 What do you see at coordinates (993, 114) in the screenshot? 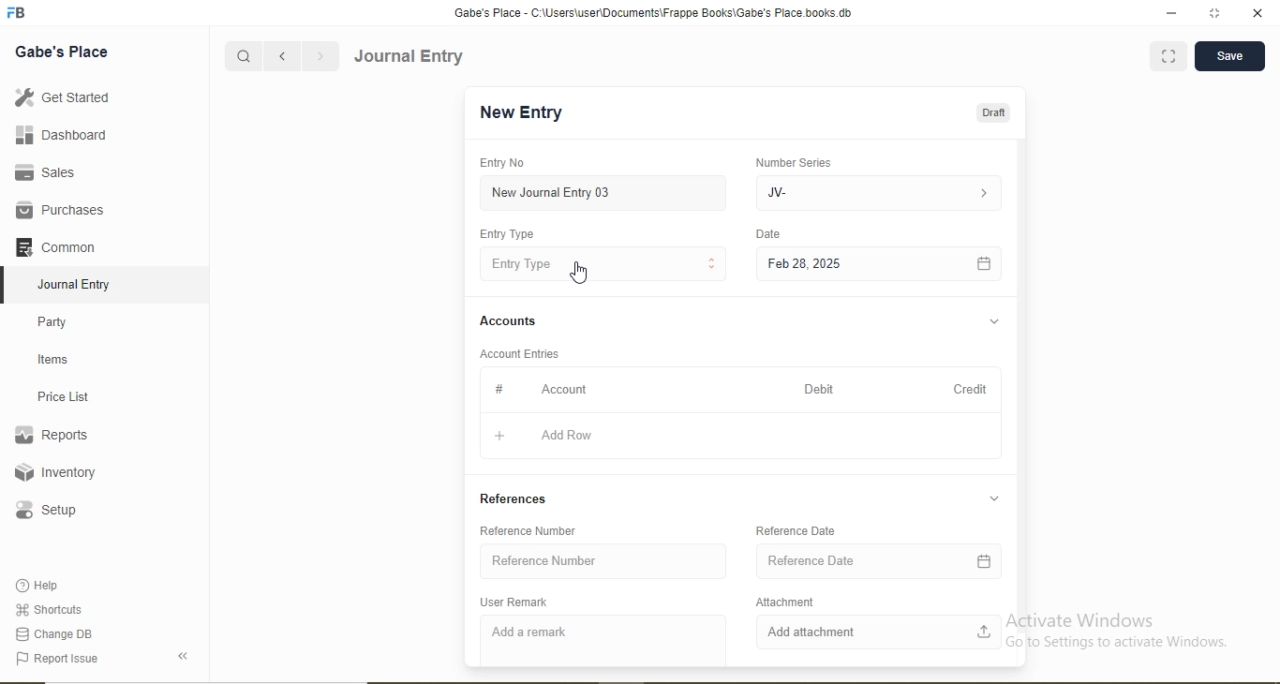
I see `Draft` at bounding box center [993, 114].